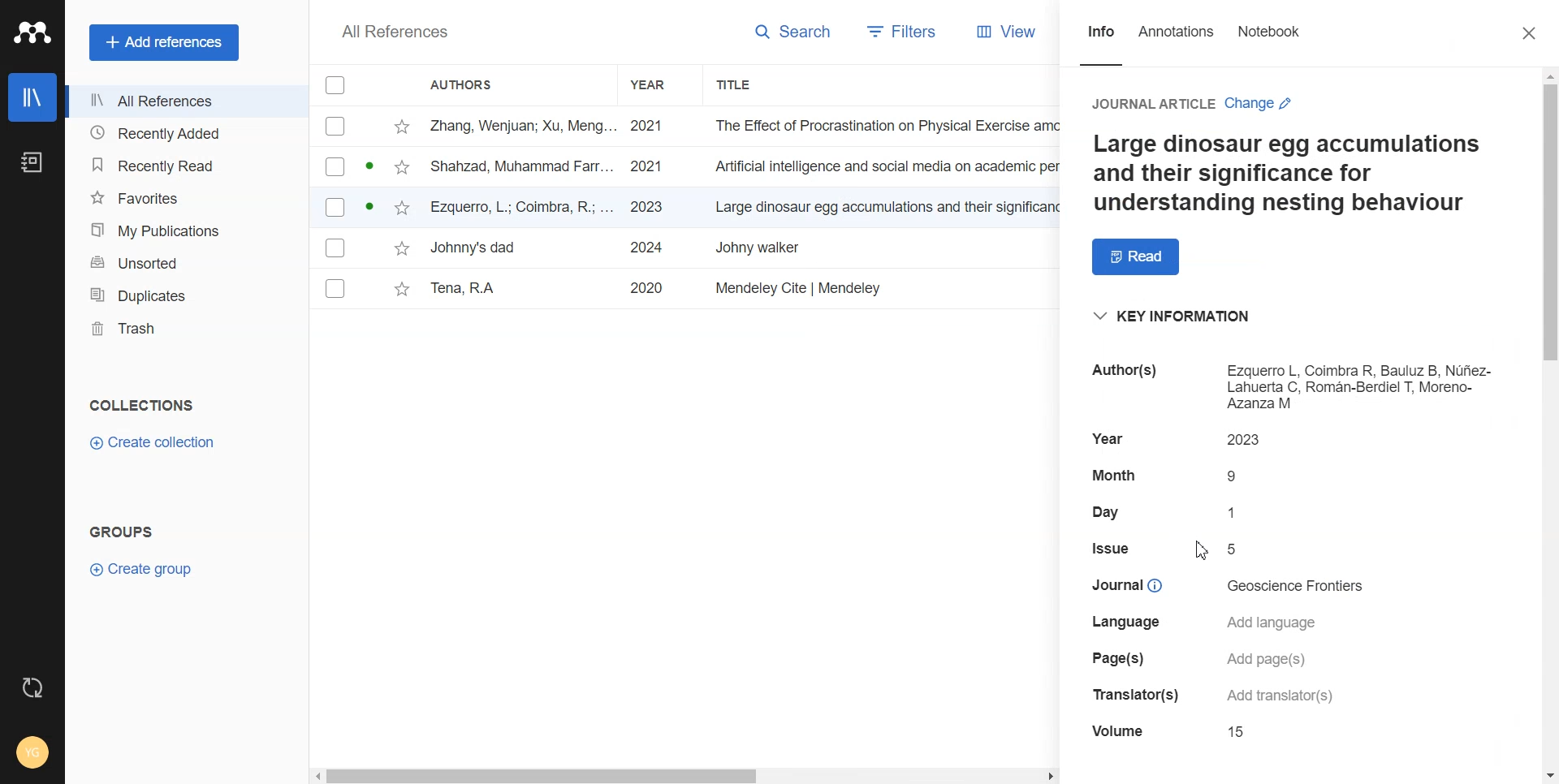 This screenshot has height=784, width=1559. I want to click on Horizontal scroll bar, so click(683, 778).